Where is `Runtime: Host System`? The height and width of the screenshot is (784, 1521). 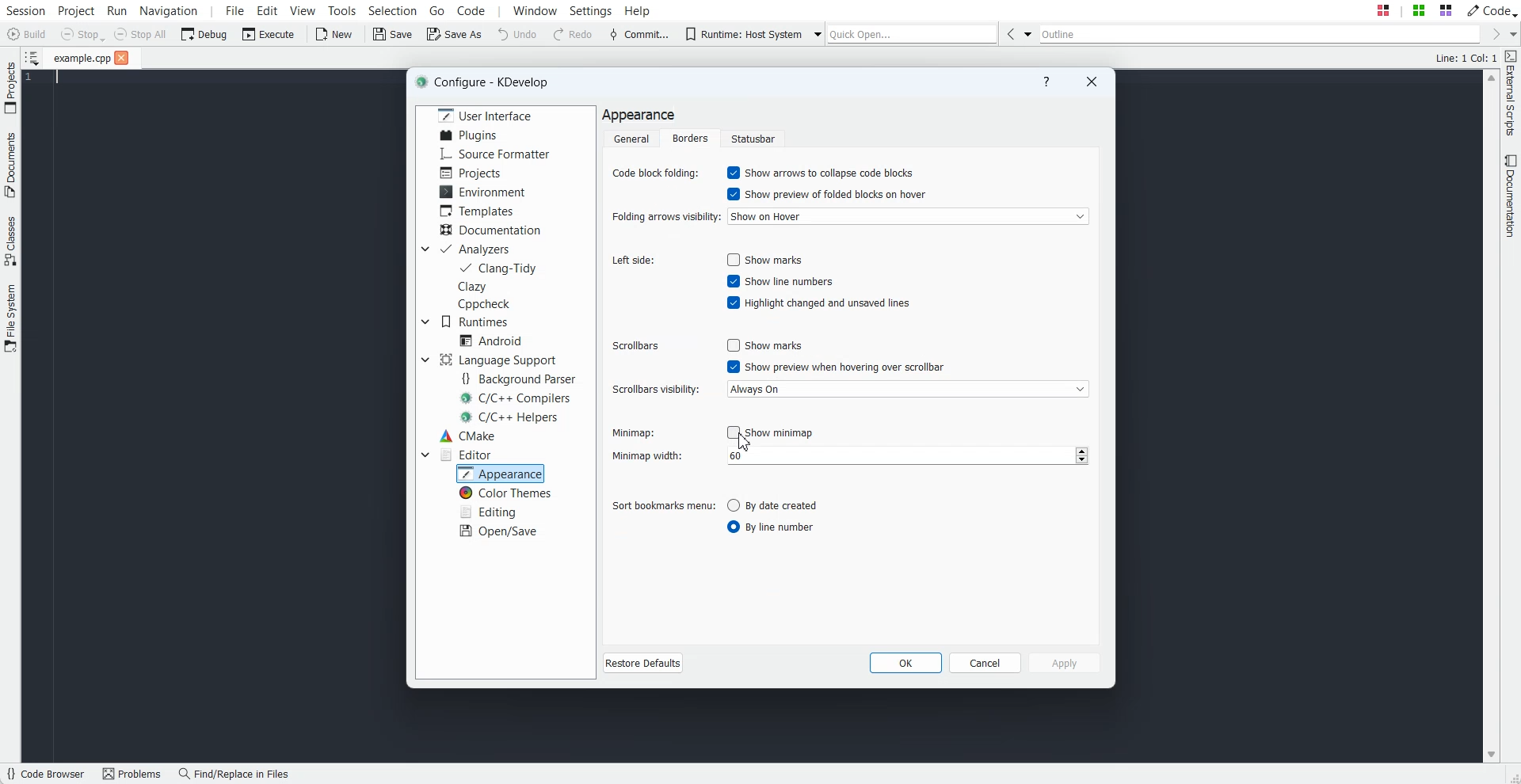
Runtime: Host System is located at coordinates (741, 34).